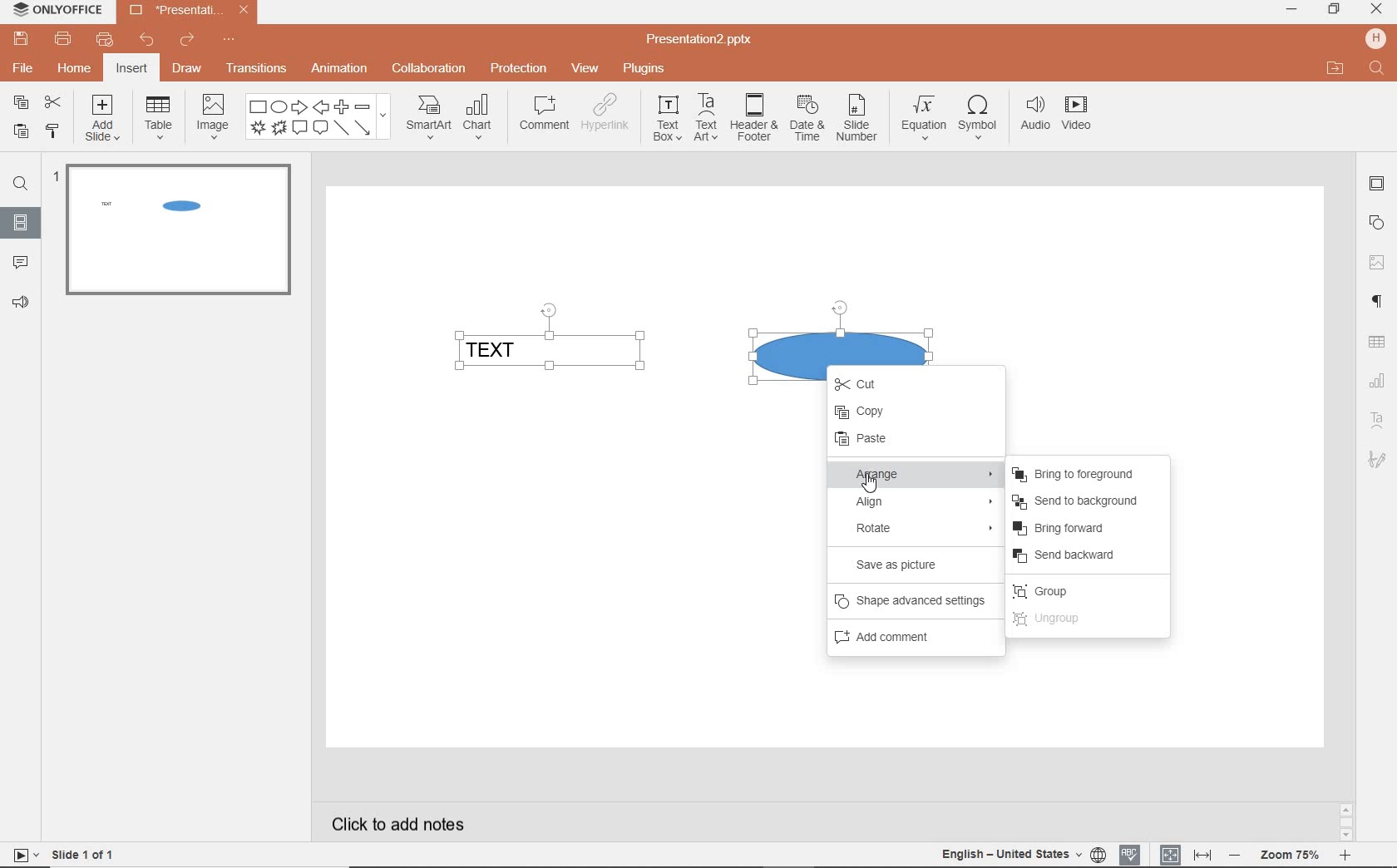 This screenshot has width=1397, height=868. Describe the element at coordinates (907, 439) in the screenshot. I see `PASTE` at that location.